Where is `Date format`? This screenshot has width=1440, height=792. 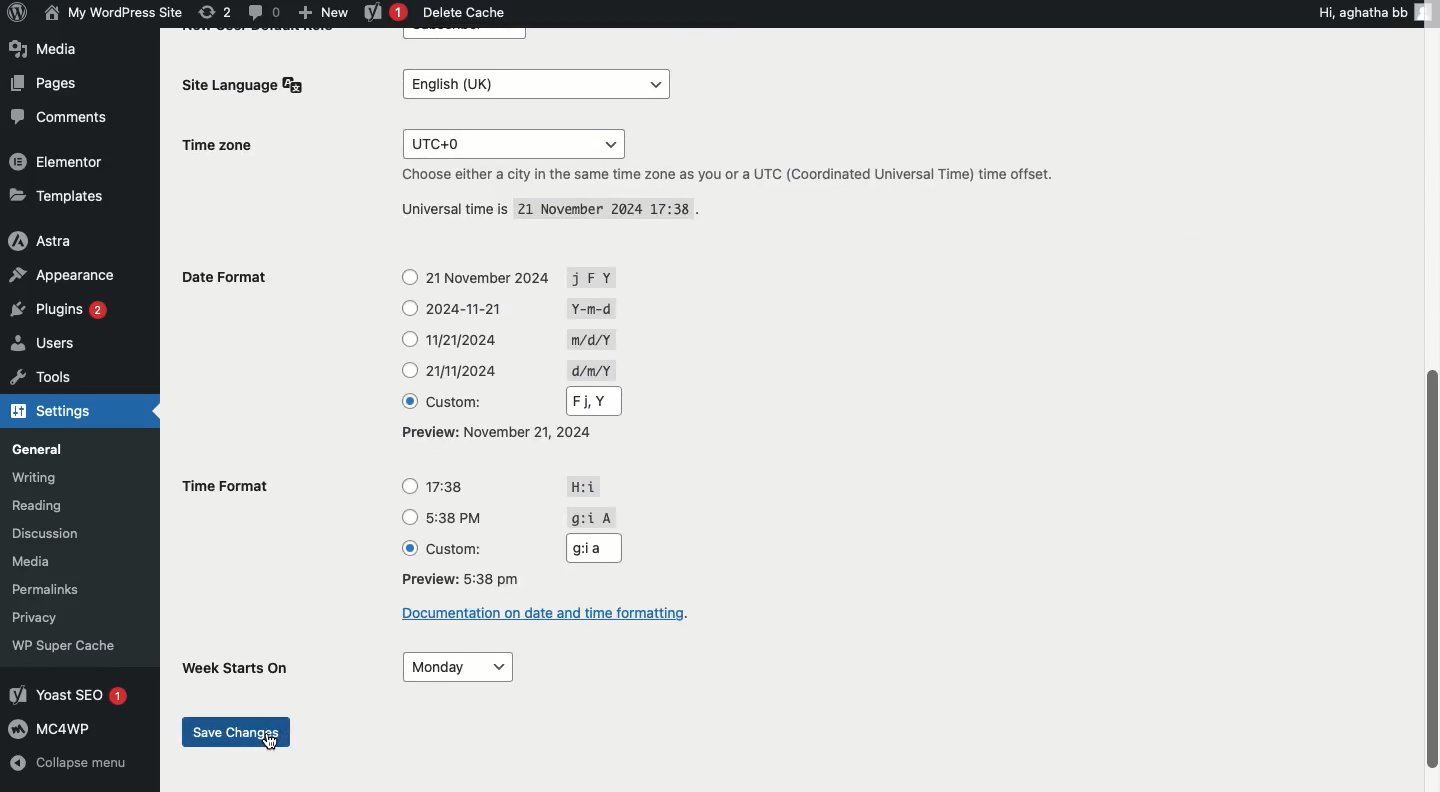 Date format is located at coordinates (243, 280).